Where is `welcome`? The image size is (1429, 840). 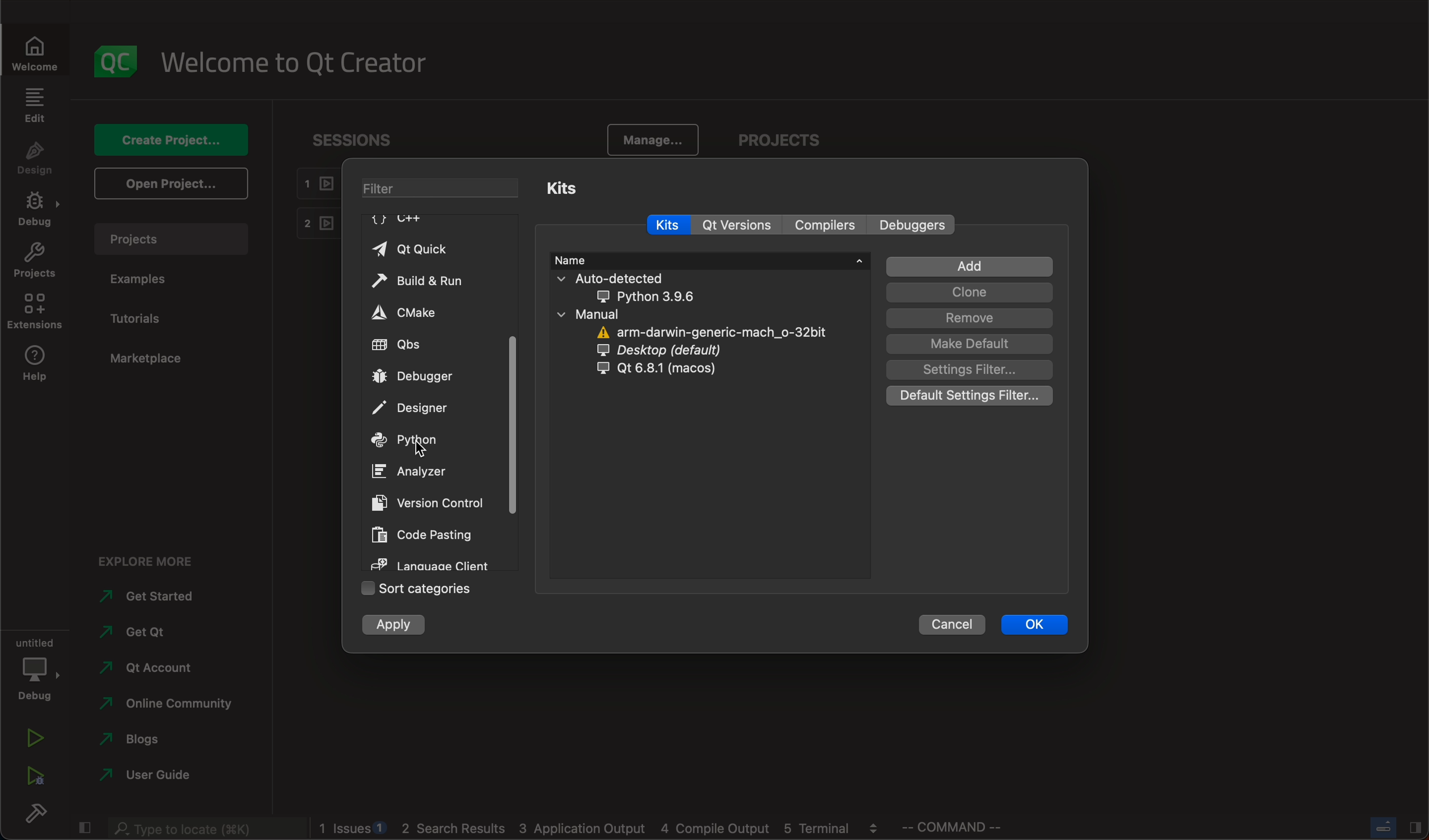
welcome is located at coordinates (298, 62).